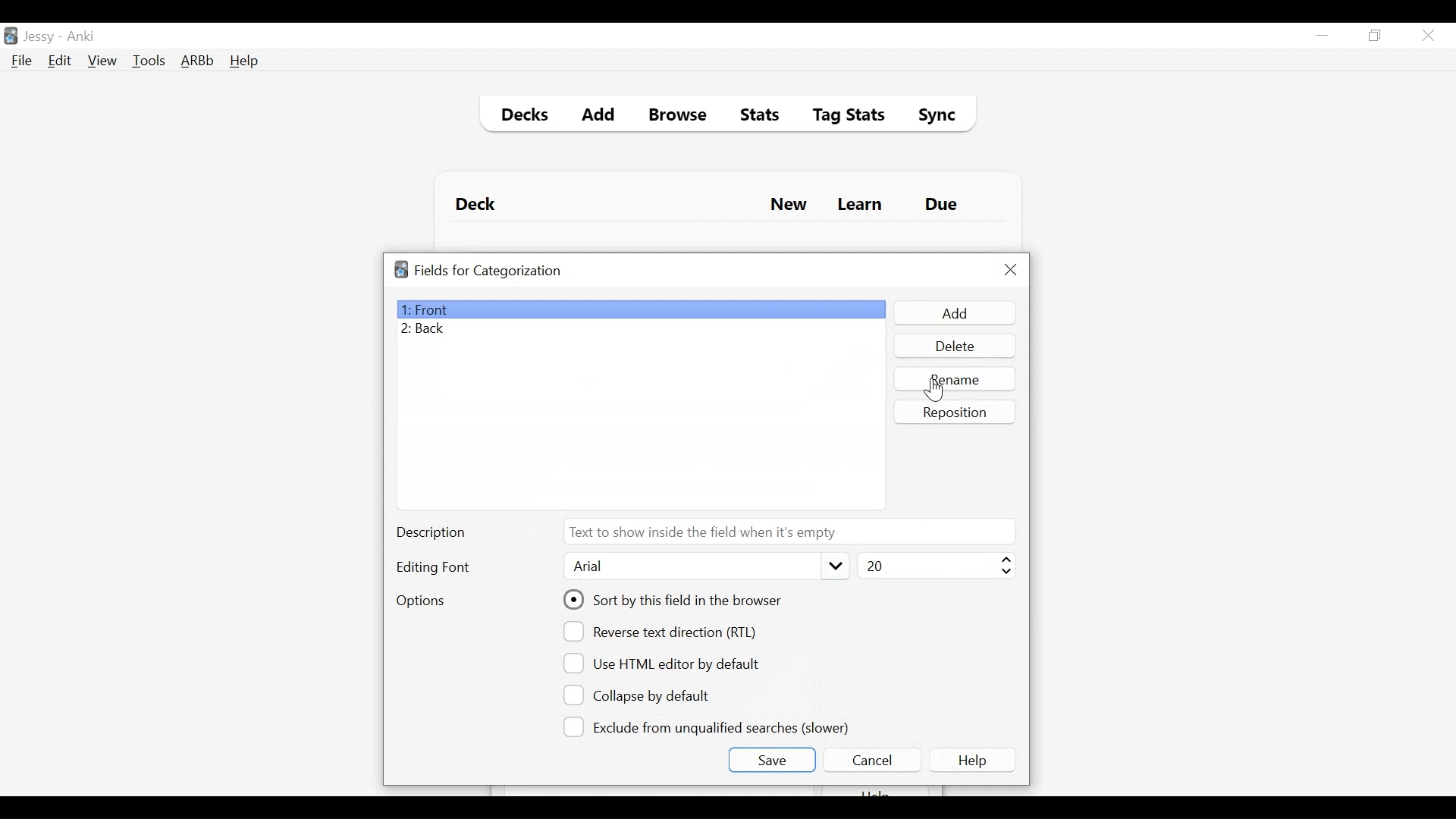 Image resolution: width=1456 pixels, height=819 pixels. What do you see at coordinates (149, 60) in the screenshot?
I see `Tools` at bounding box center [149, 60].